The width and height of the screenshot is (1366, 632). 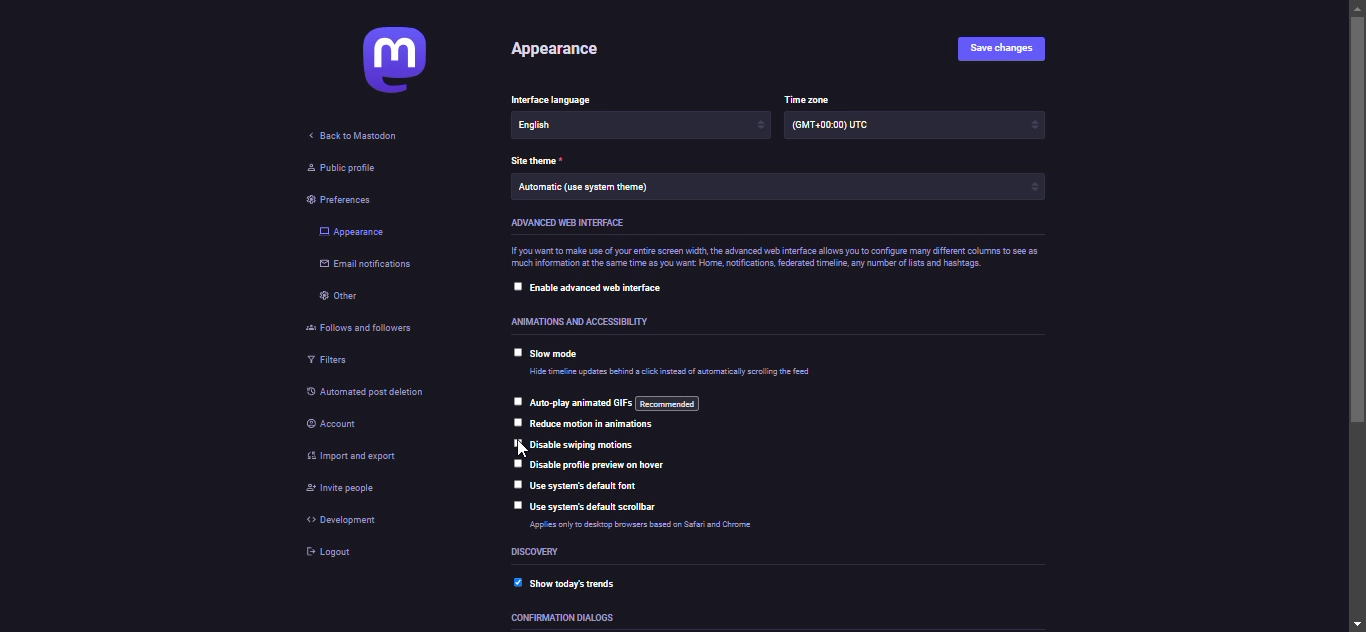 I want to click on follows and followers, so click(x=349, y=329).